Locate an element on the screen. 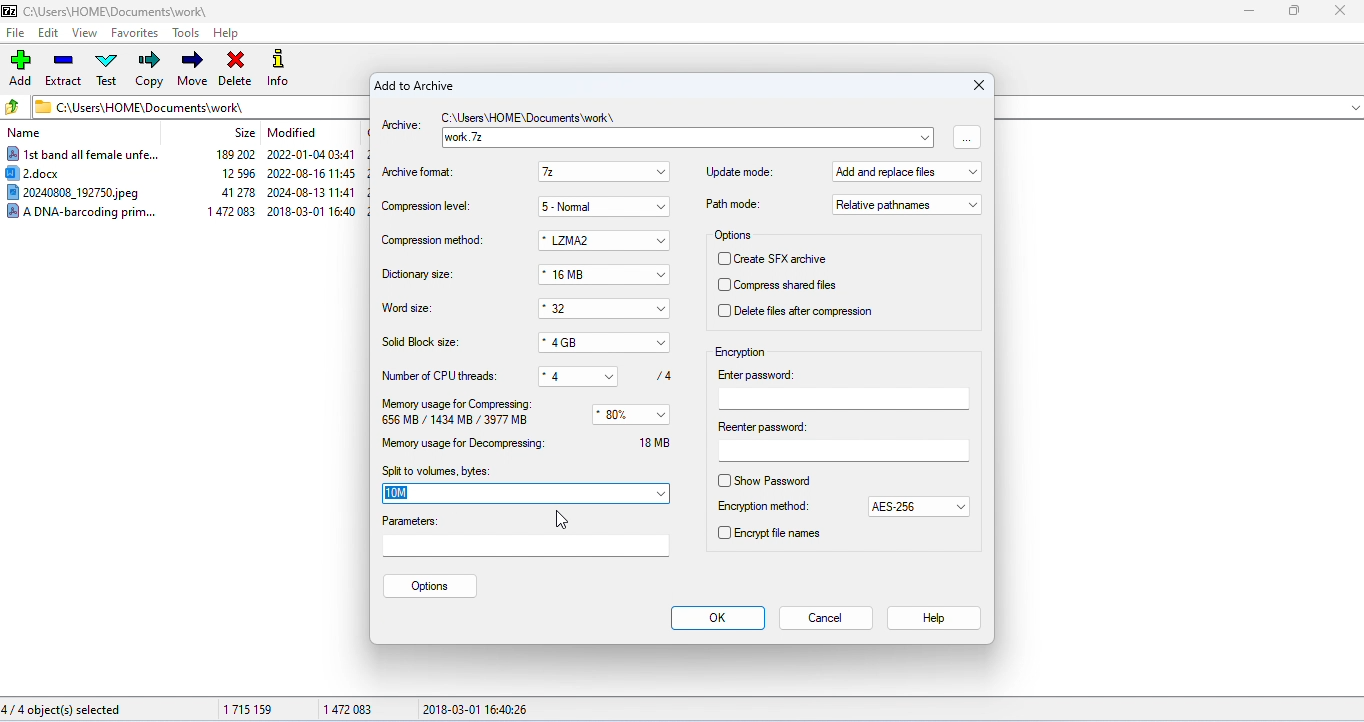 Image resolution: width=1364 pixels, height=722 pixels. check box is located at coordinates (723, 481).